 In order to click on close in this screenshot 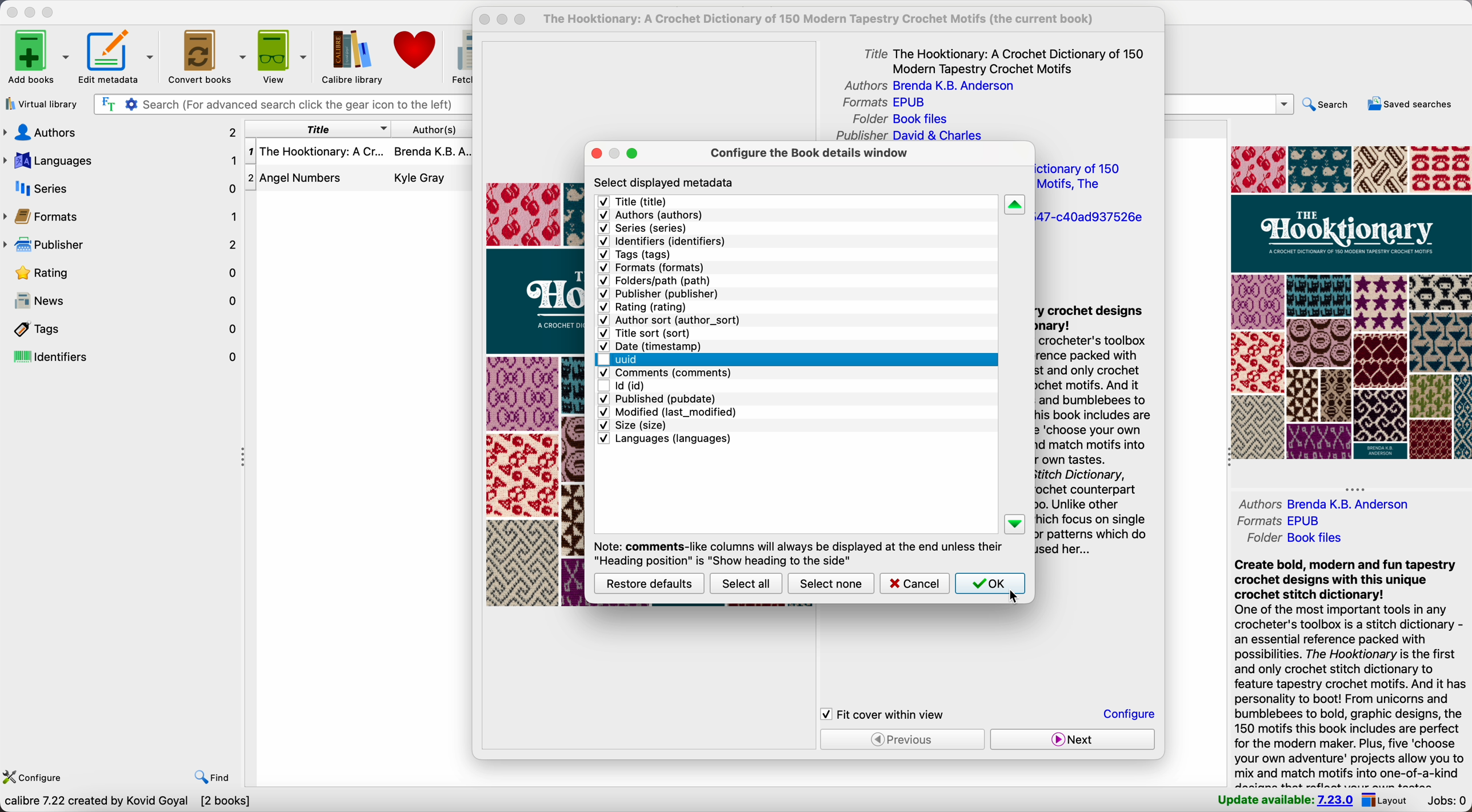, I will do `click(12, 12)`.